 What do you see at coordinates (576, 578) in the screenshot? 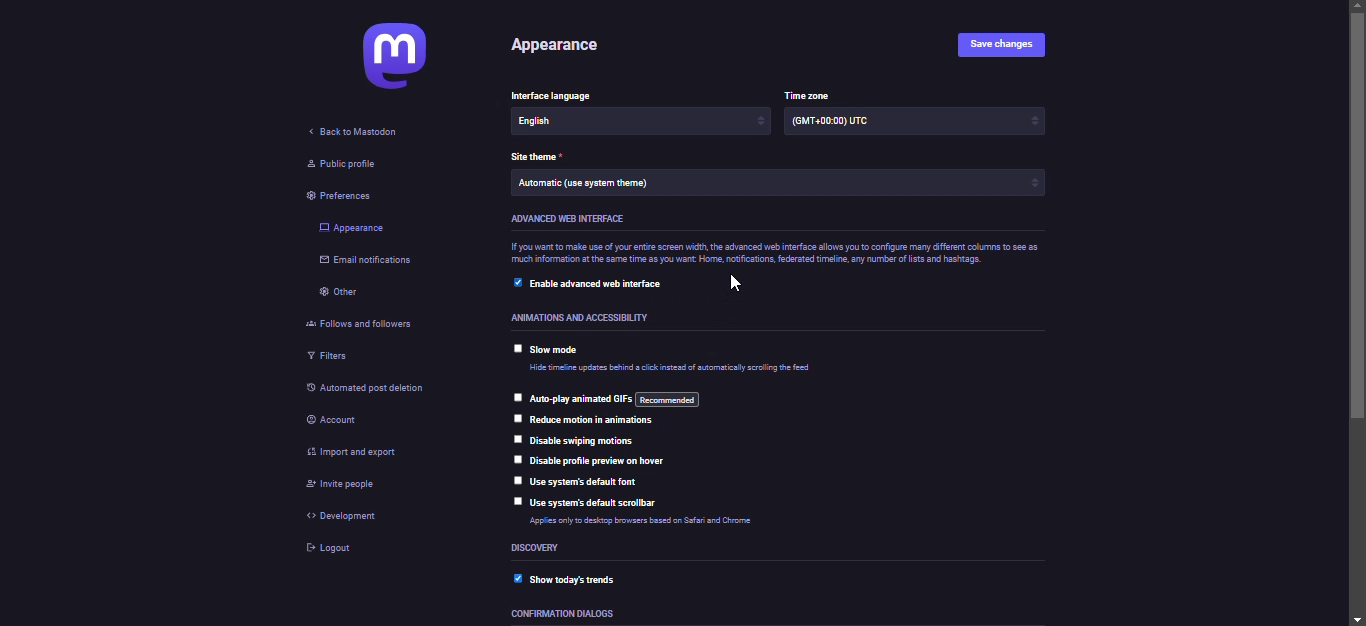
I see `show today's trends` at bounding box center [576, 578].